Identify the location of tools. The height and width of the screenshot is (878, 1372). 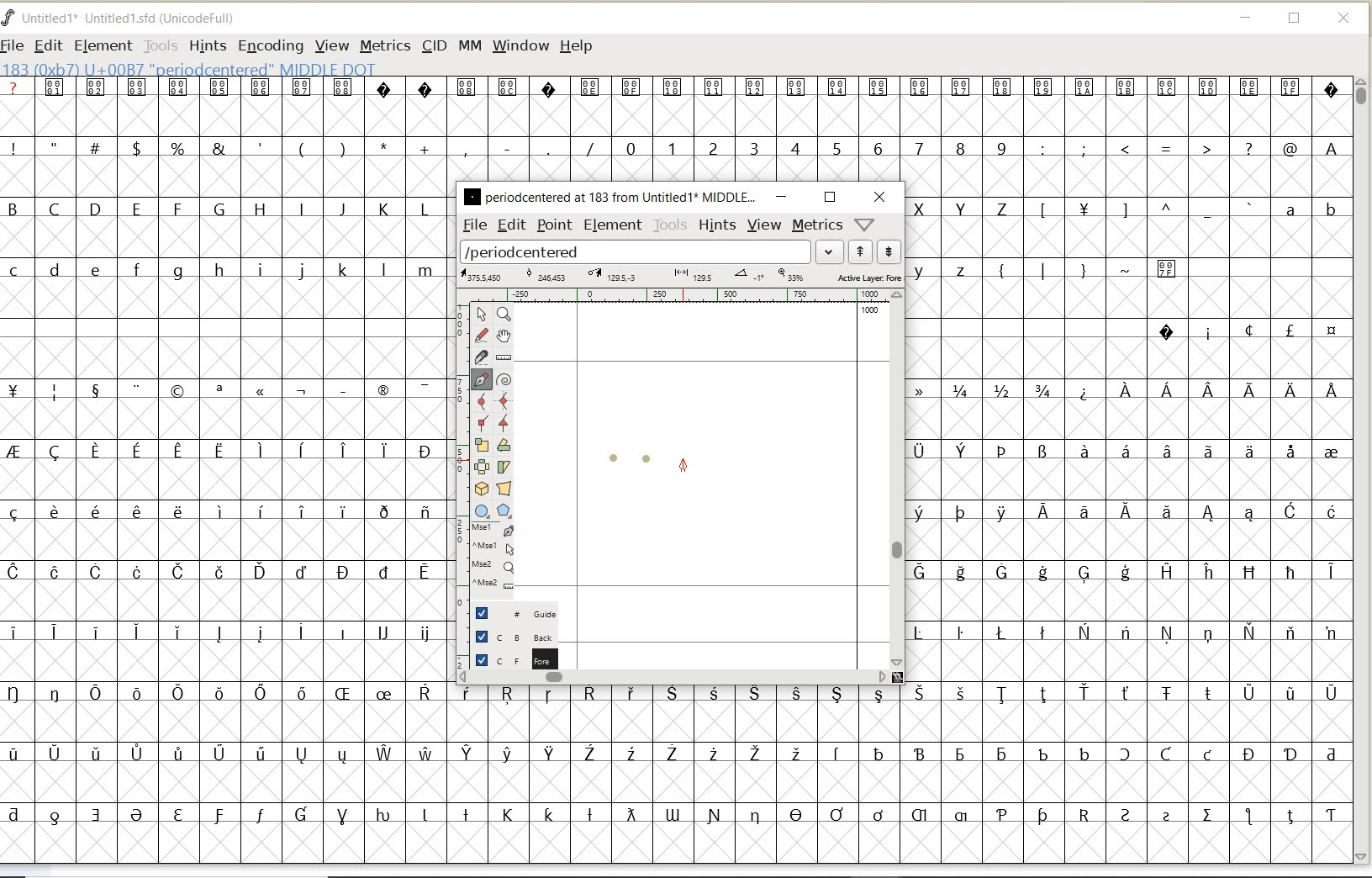
(670, 225).